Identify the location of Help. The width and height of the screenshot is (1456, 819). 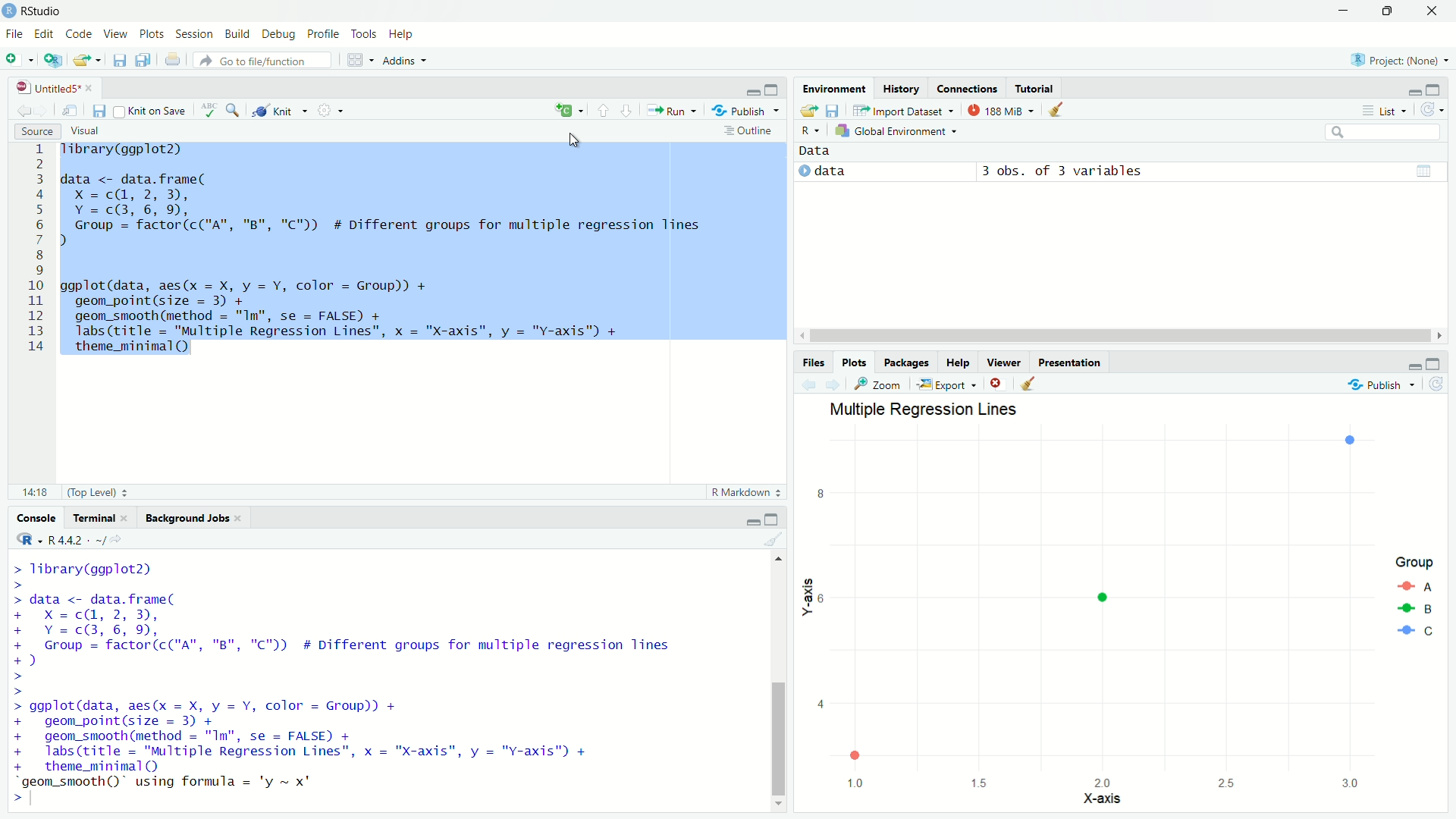
(406, 33).